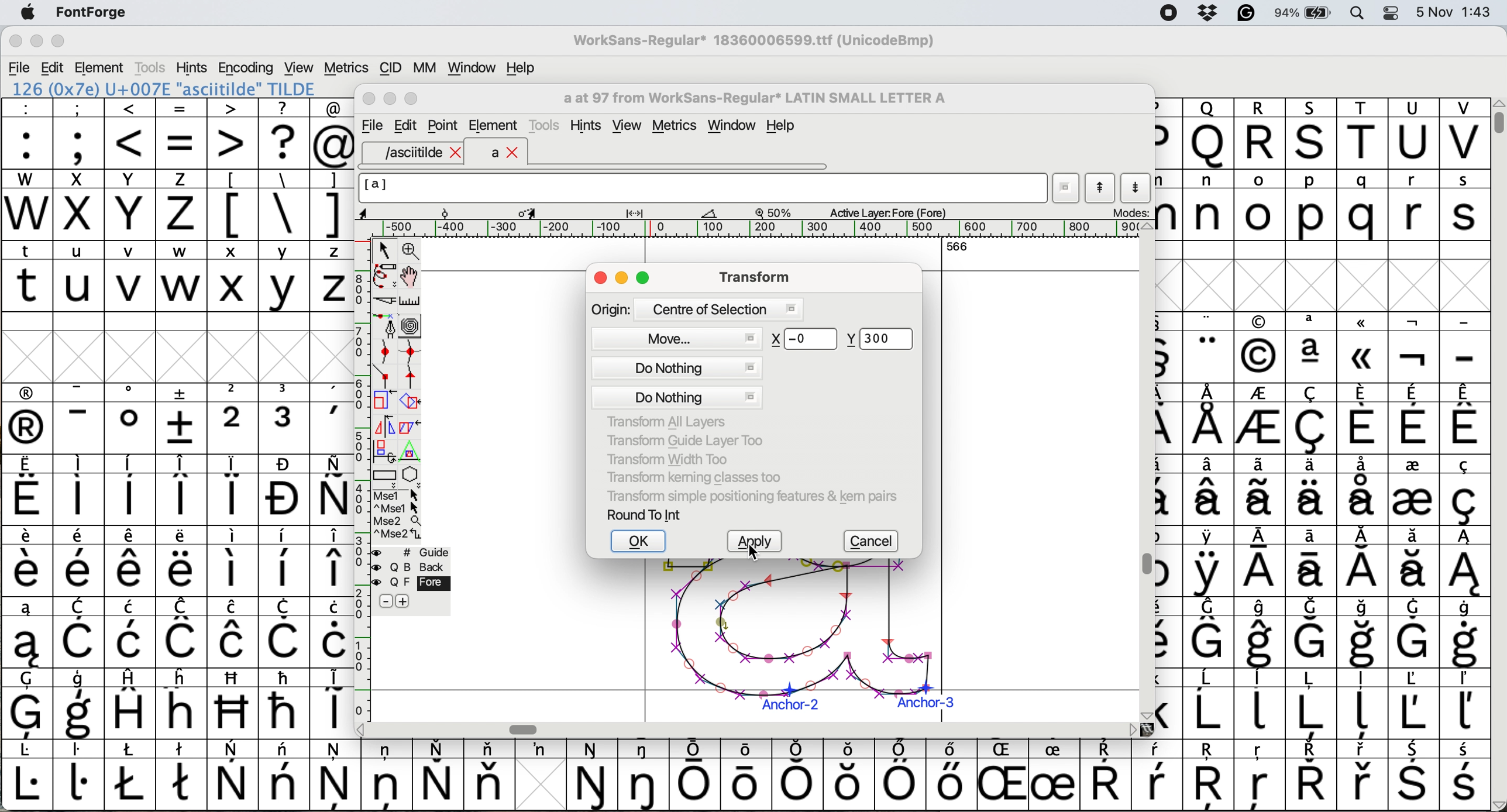 The width and height of the screenshot is (1507, 812). What do you see at coordinates (284, 703) in the screenshot?
I see `symbol` at bounding box center [284, 703].